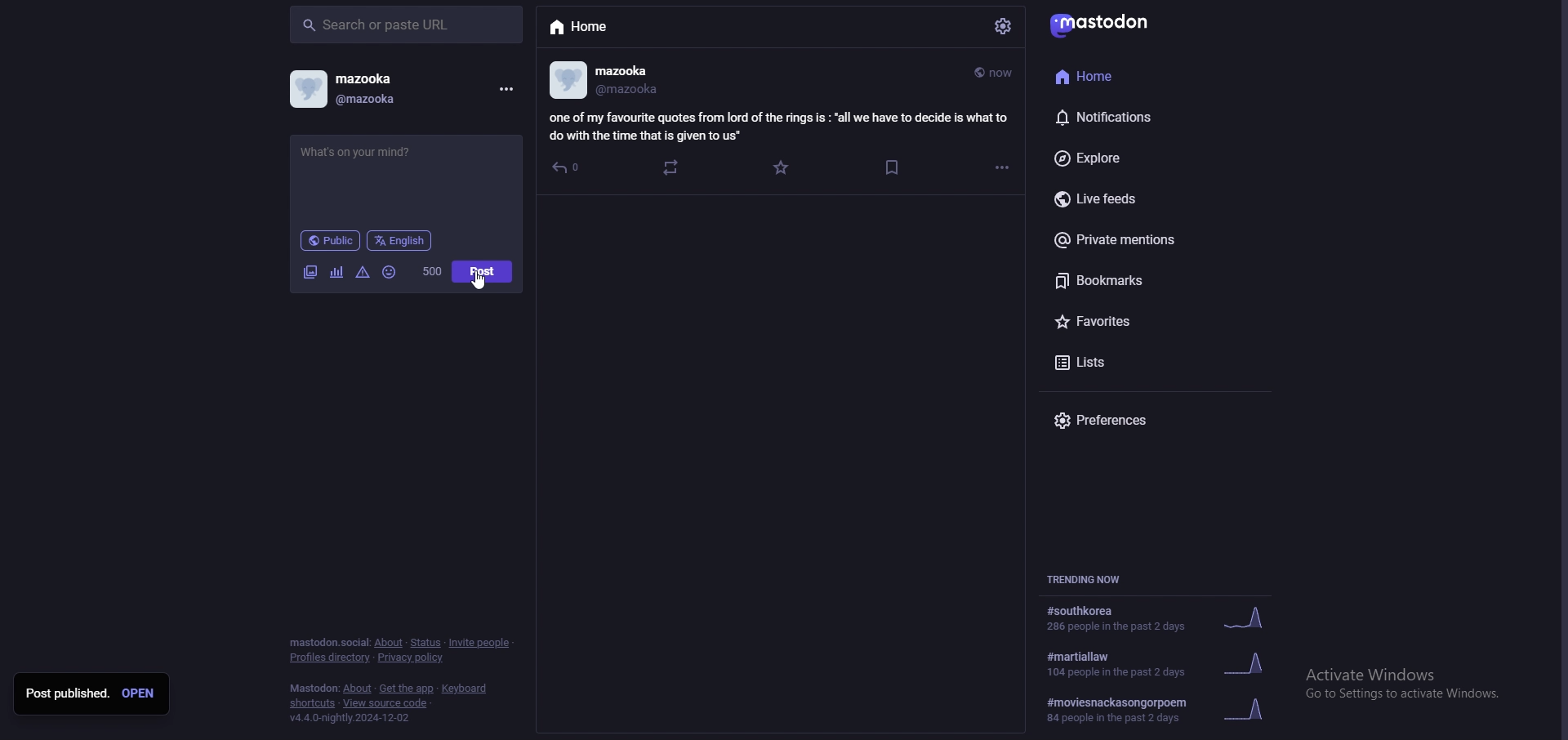 The height and width of the screenshot is (740, 1568). Describe the element at coordinates (483, 286) in the screenshot. I see `pointer cursor` at that location.